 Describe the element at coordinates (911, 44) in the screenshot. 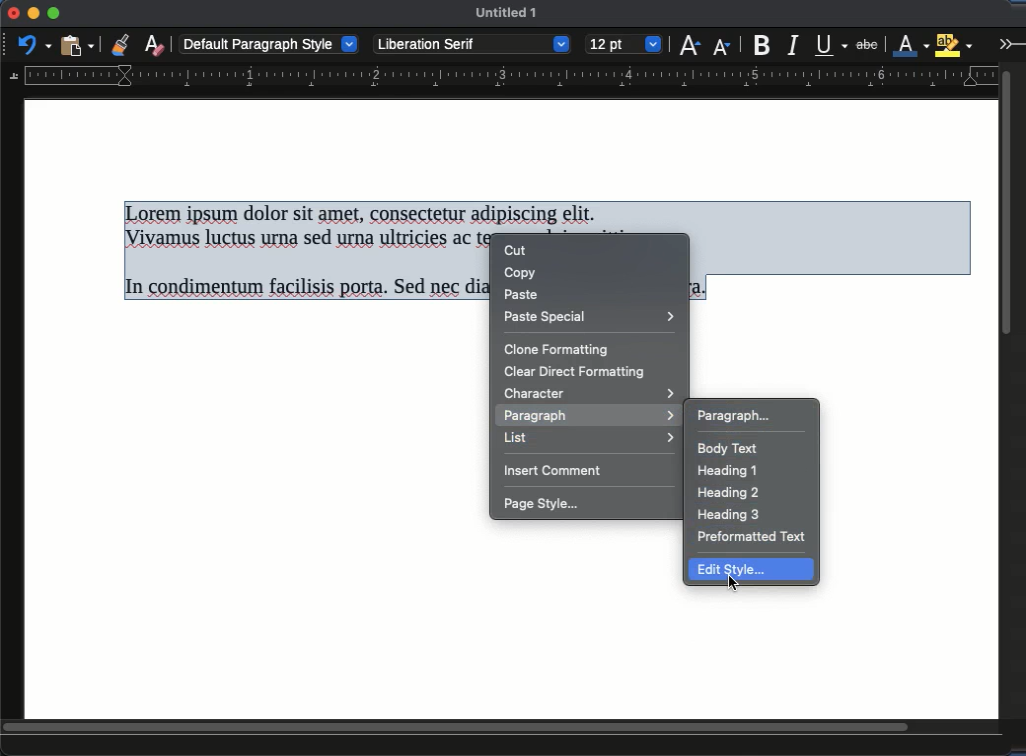

I see `line color` at that location.